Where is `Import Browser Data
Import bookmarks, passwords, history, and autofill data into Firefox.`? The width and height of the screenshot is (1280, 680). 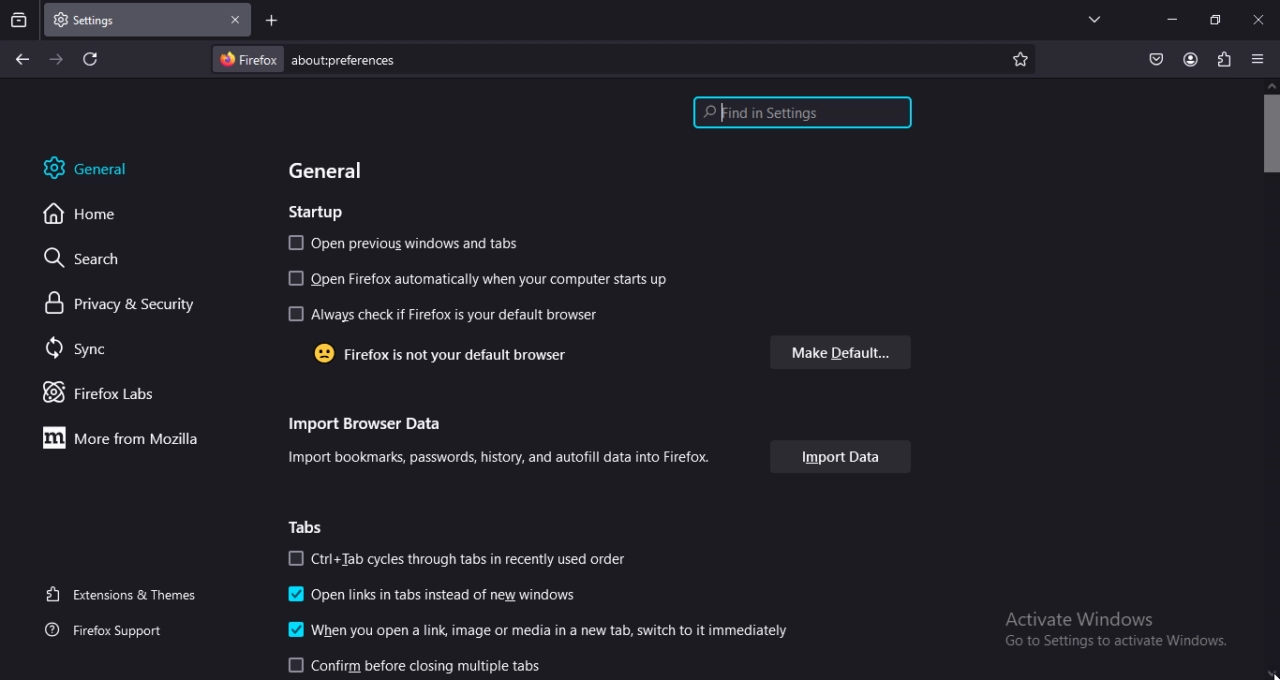
Import Browser Data
Import bookmarks, passwords, history, and autofill data into Firefox. is located at coordinates (498, 442).